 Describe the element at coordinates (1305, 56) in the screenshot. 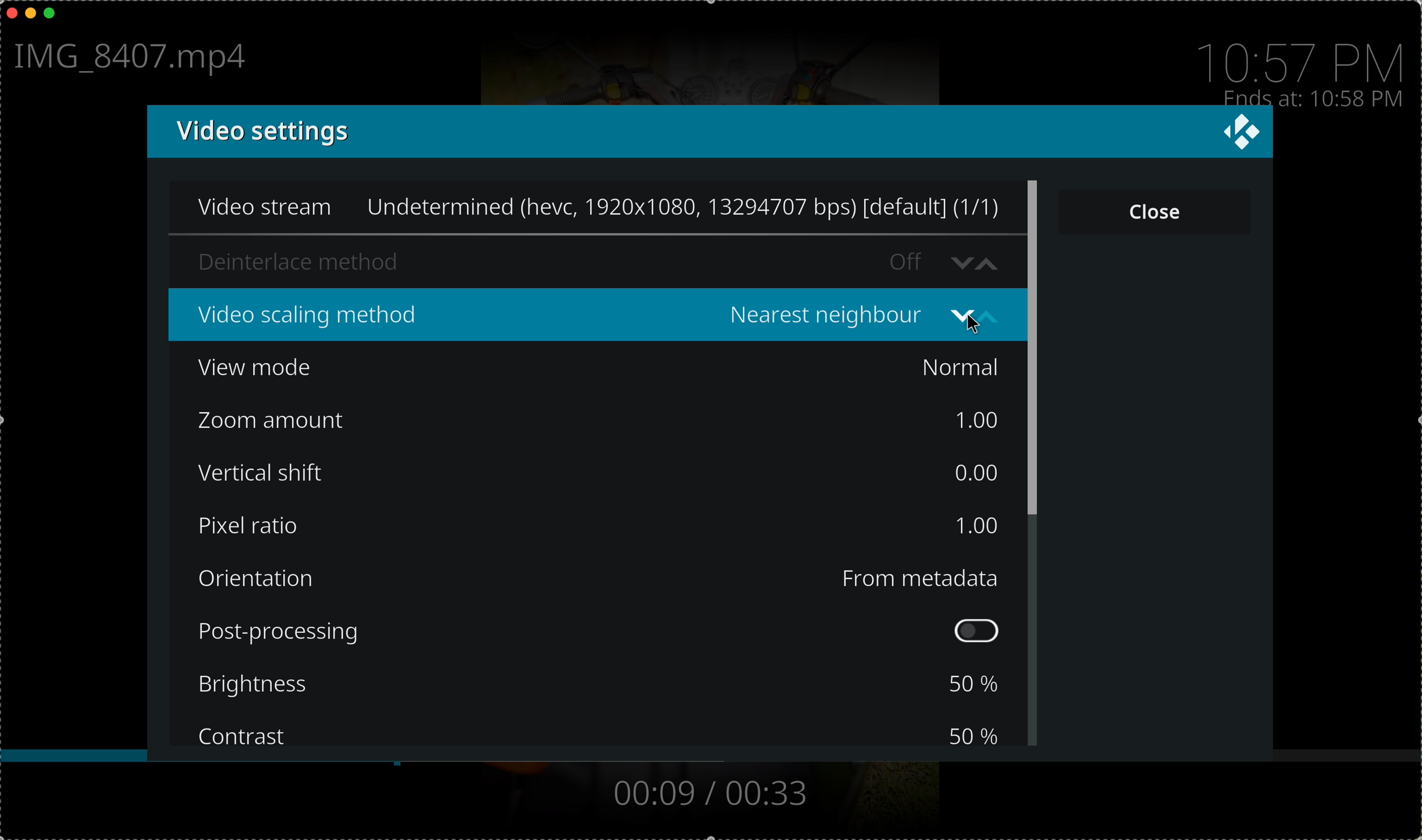

I see `10:57 PM` at that location.